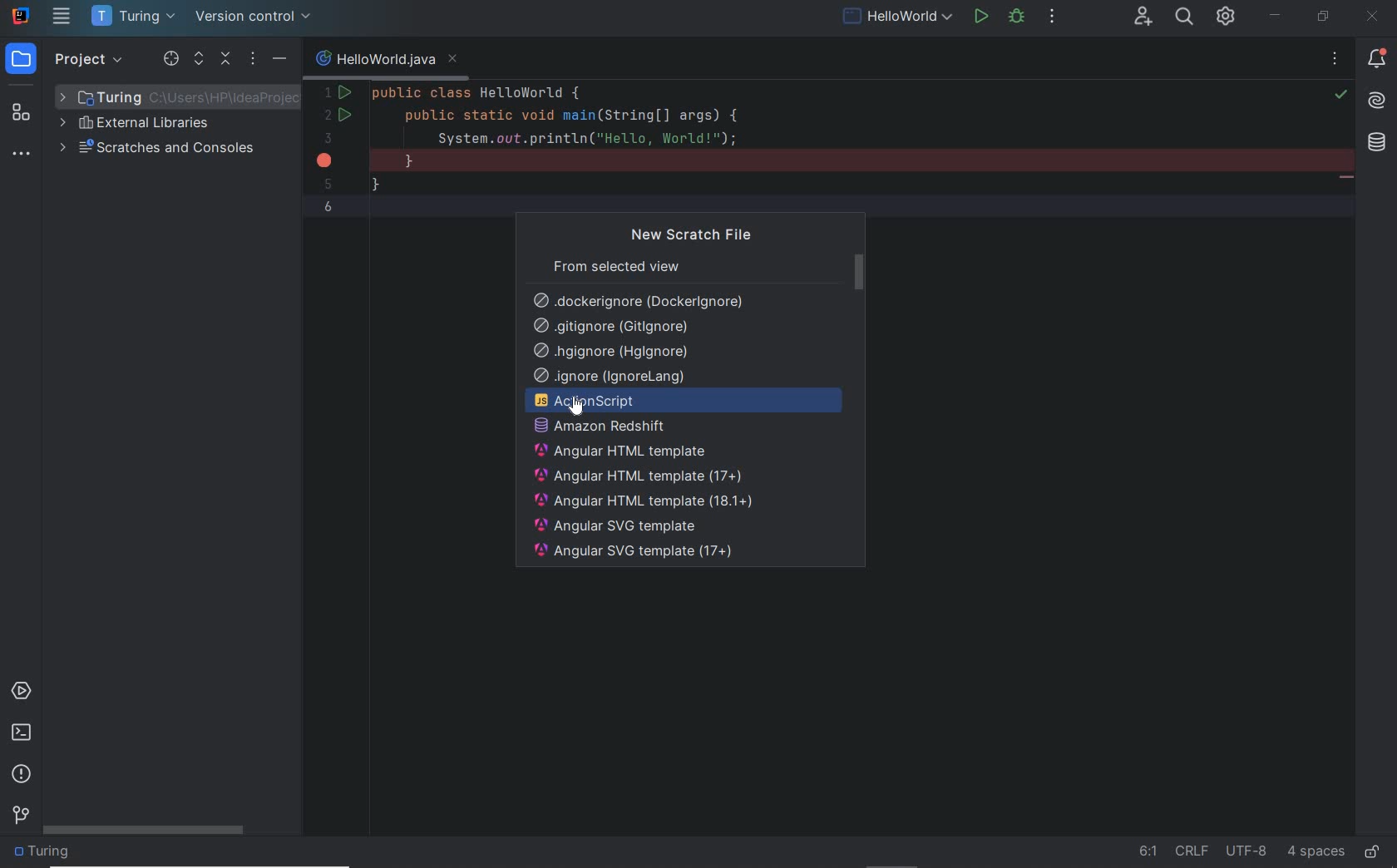 Image resolution: width=1397 pixels, height=868 pixels. Describe the element at coordinates (981, 18) in the screenshot. I see `run` at that location.